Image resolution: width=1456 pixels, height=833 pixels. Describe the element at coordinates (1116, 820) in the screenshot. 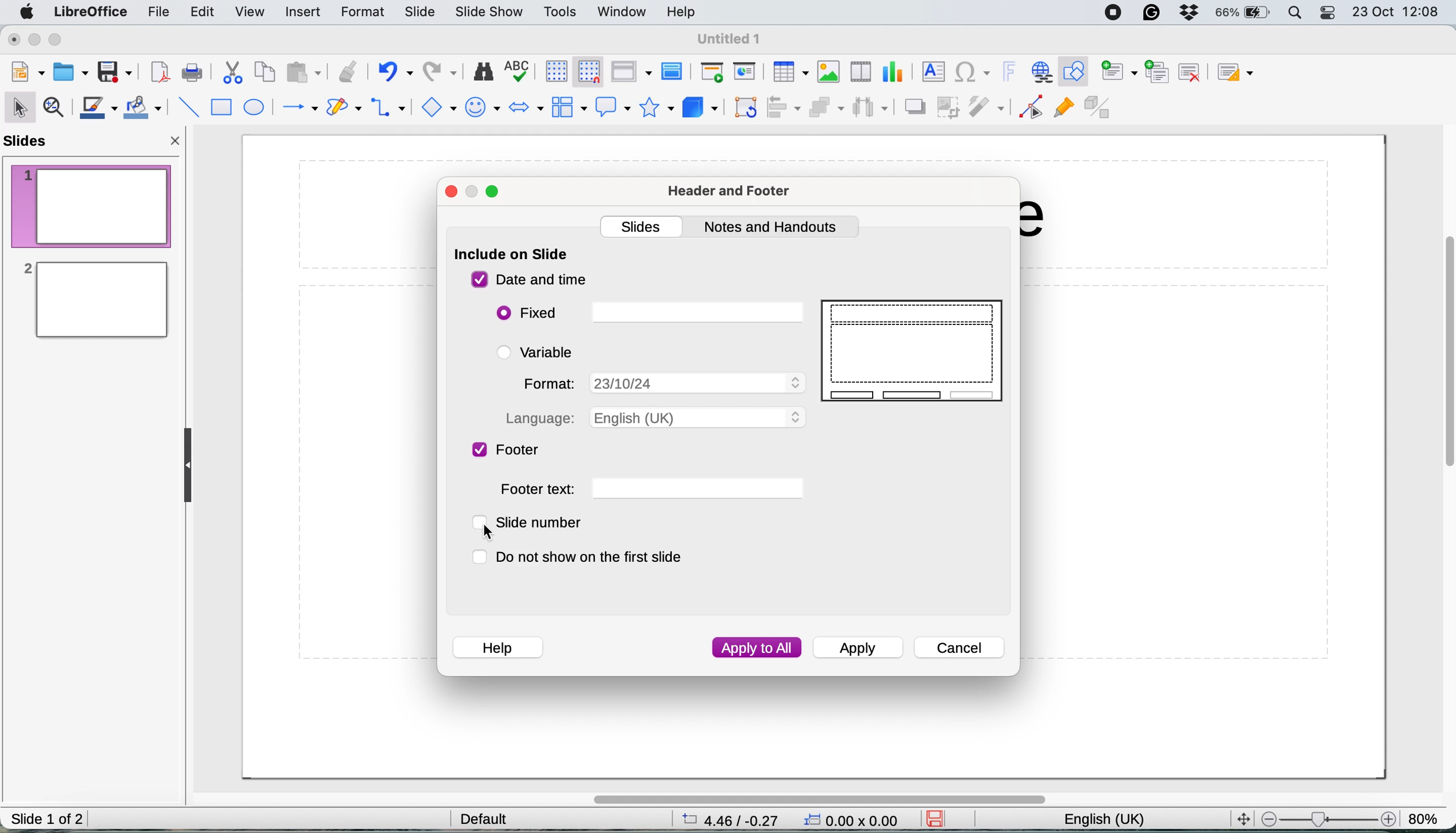

I see `english(UK)` at that location.